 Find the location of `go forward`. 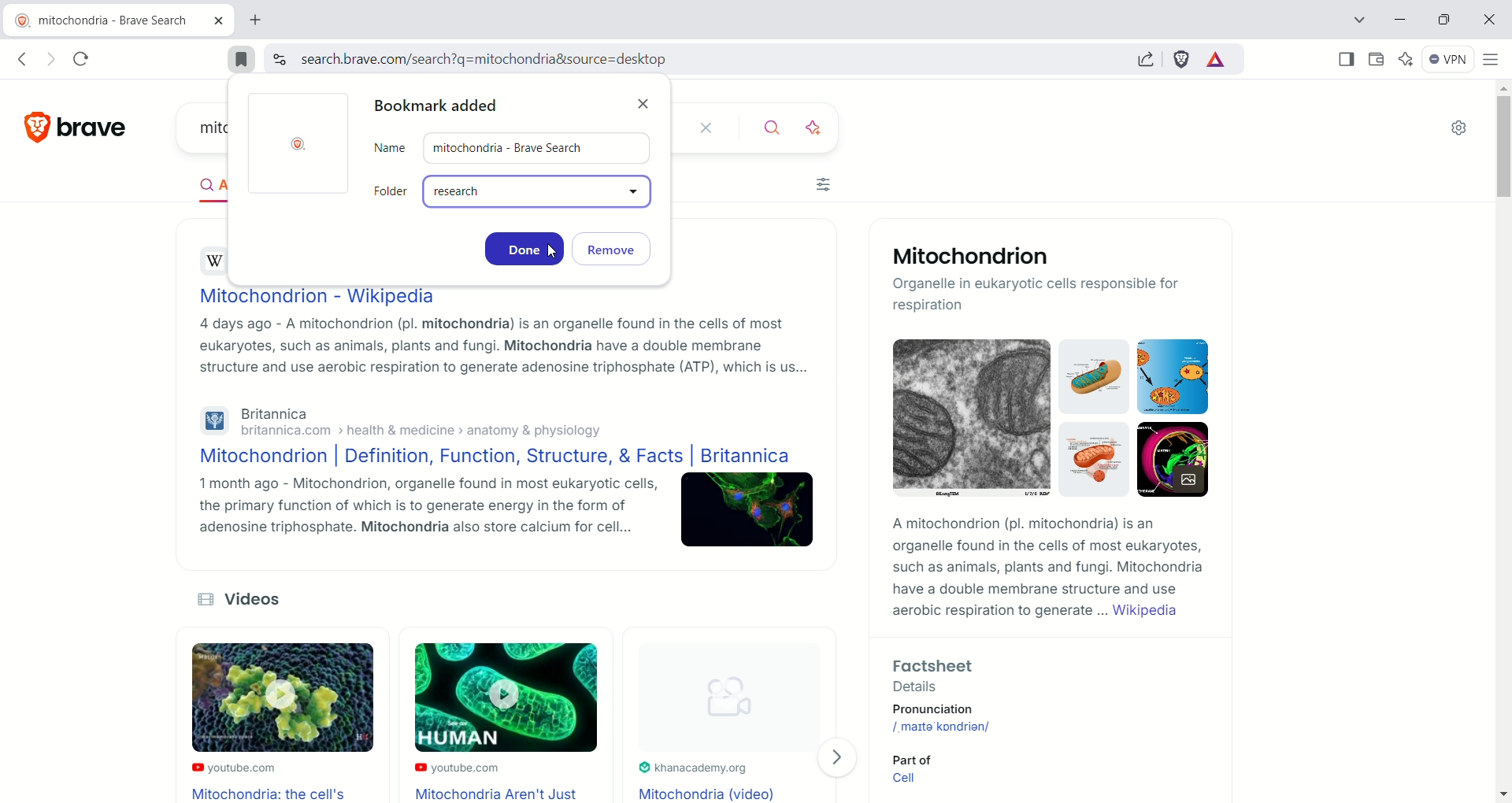

go forward is located at coordinates (51, 58).